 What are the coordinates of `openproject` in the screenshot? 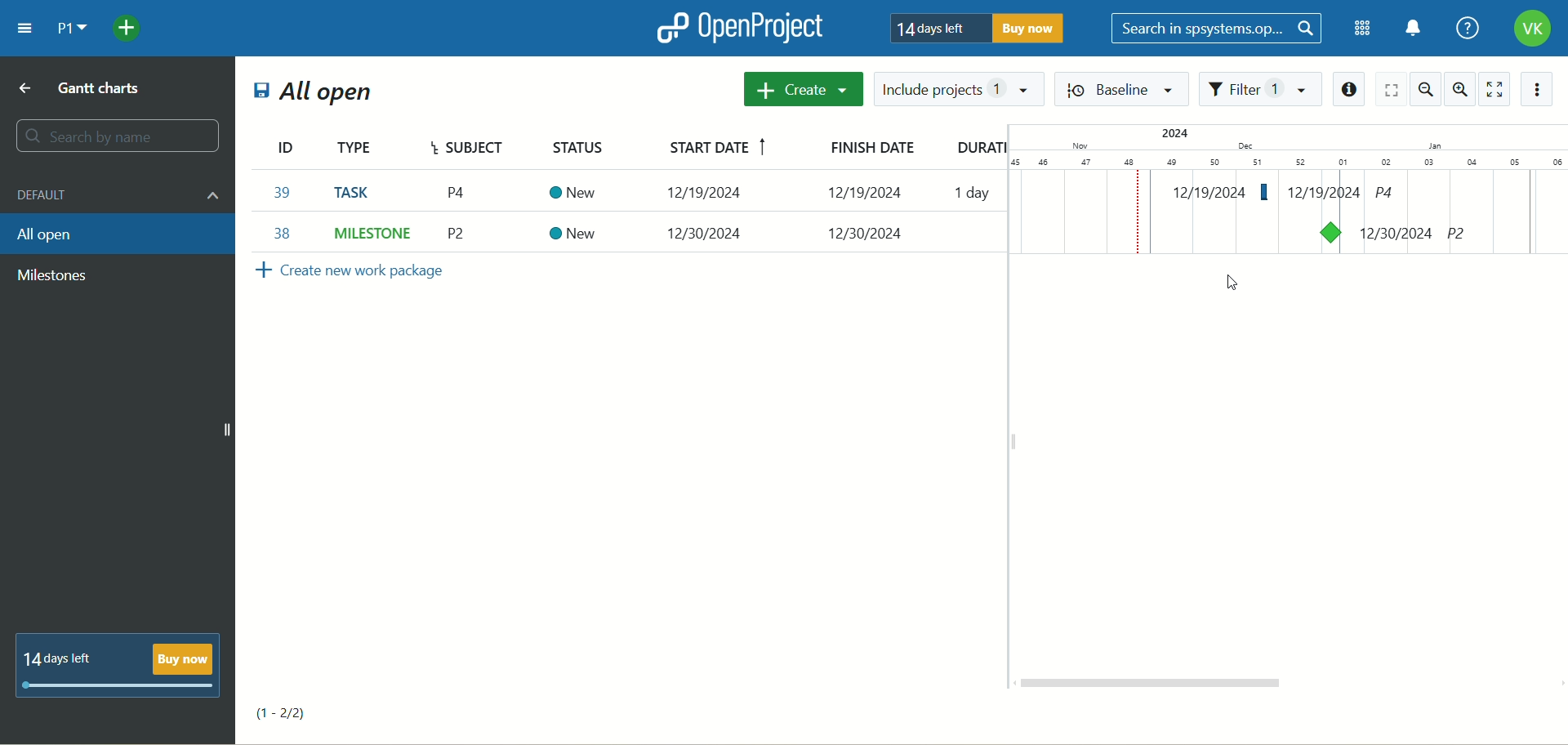 It's located at (738, 27).